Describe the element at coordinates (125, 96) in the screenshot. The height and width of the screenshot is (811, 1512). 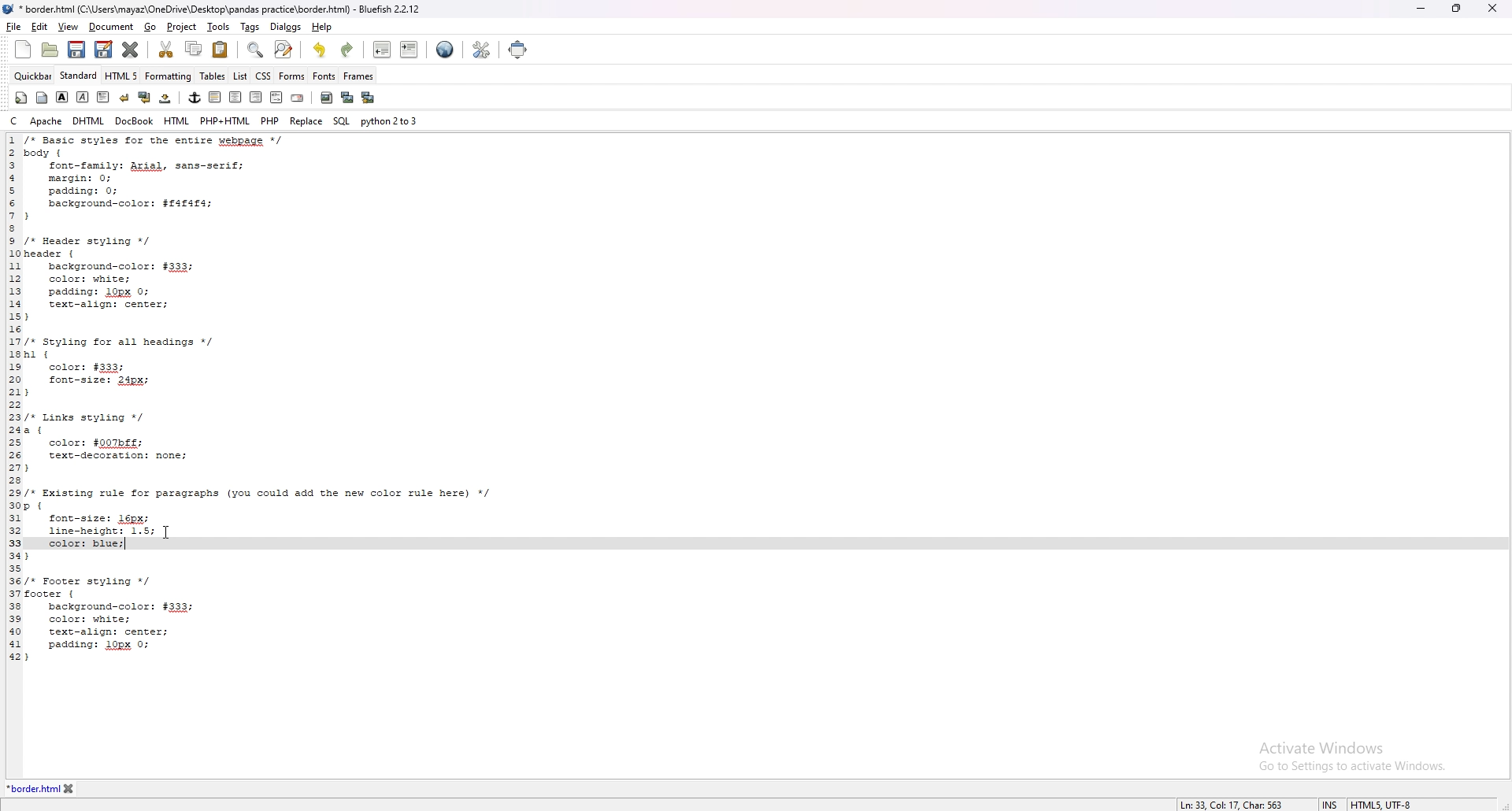
I see `break` at that location.